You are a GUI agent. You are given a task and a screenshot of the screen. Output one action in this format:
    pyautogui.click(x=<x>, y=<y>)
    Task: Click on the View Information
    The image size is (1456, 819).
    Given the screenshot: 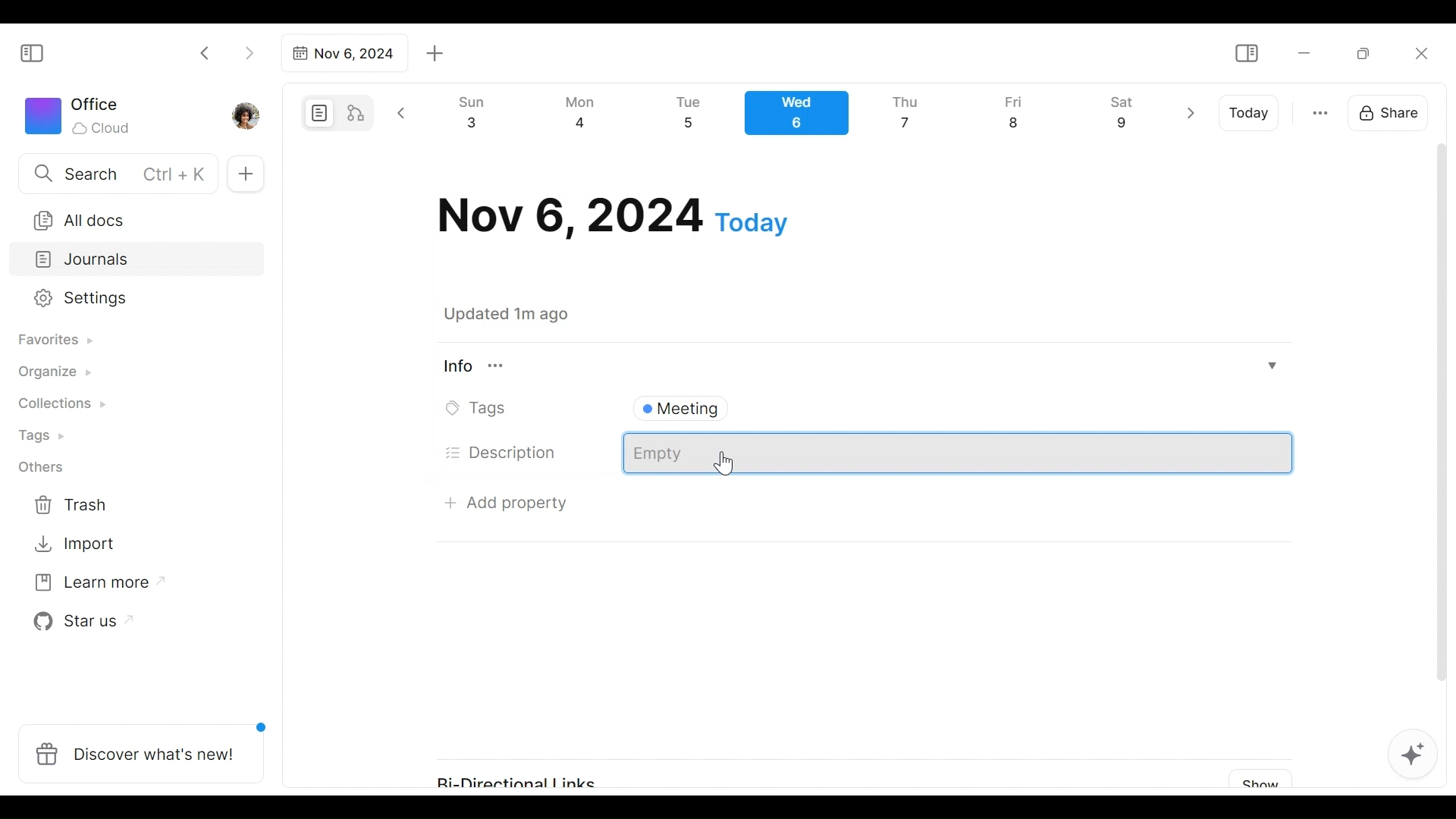 What is the action you would take?
    pyautogui.click(x=858, y=366)
    